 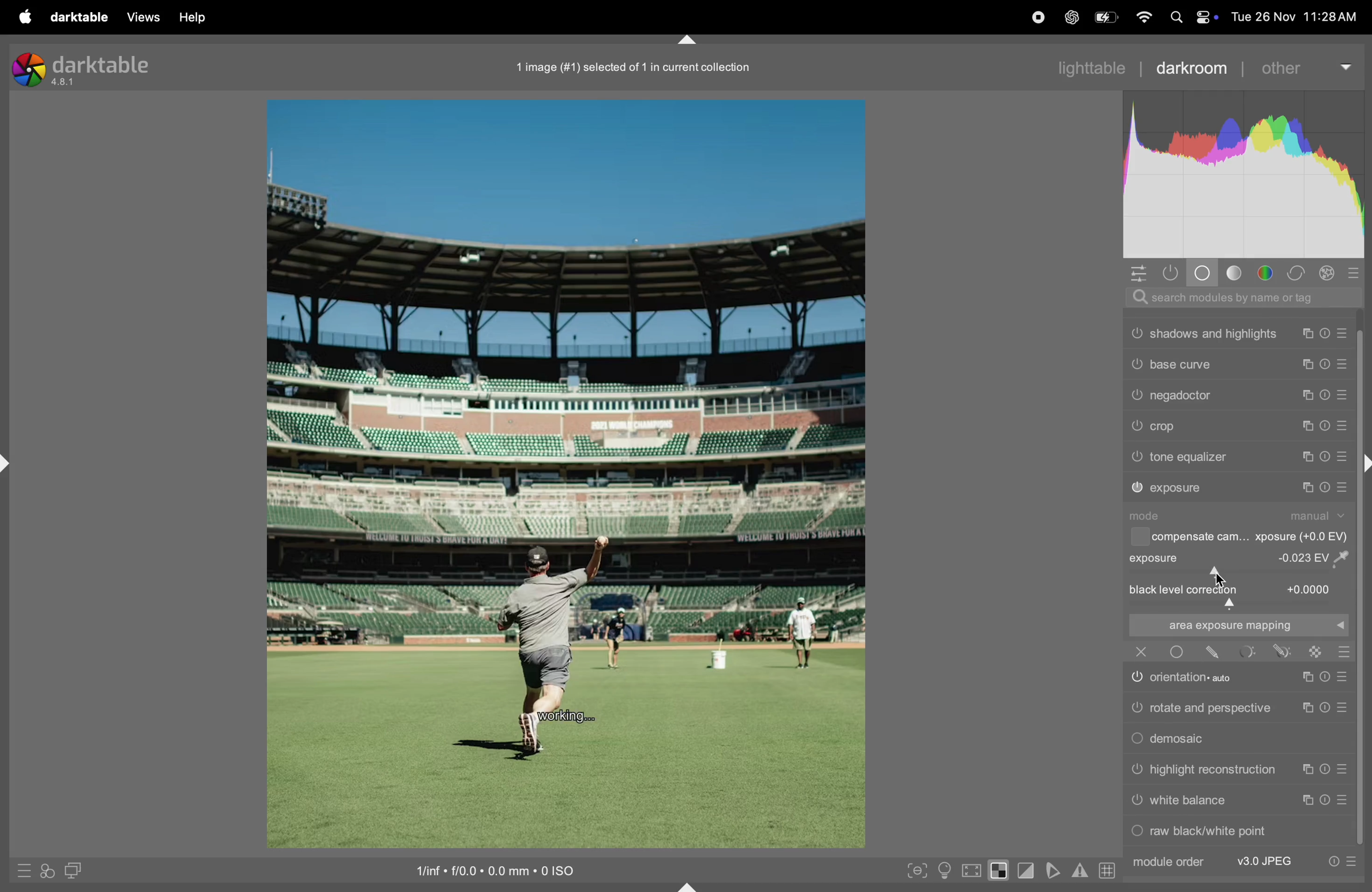 What do you see at coordinates (1308, 800) in the screenshot?
I see `copy` at bounding box center [1308, 800].